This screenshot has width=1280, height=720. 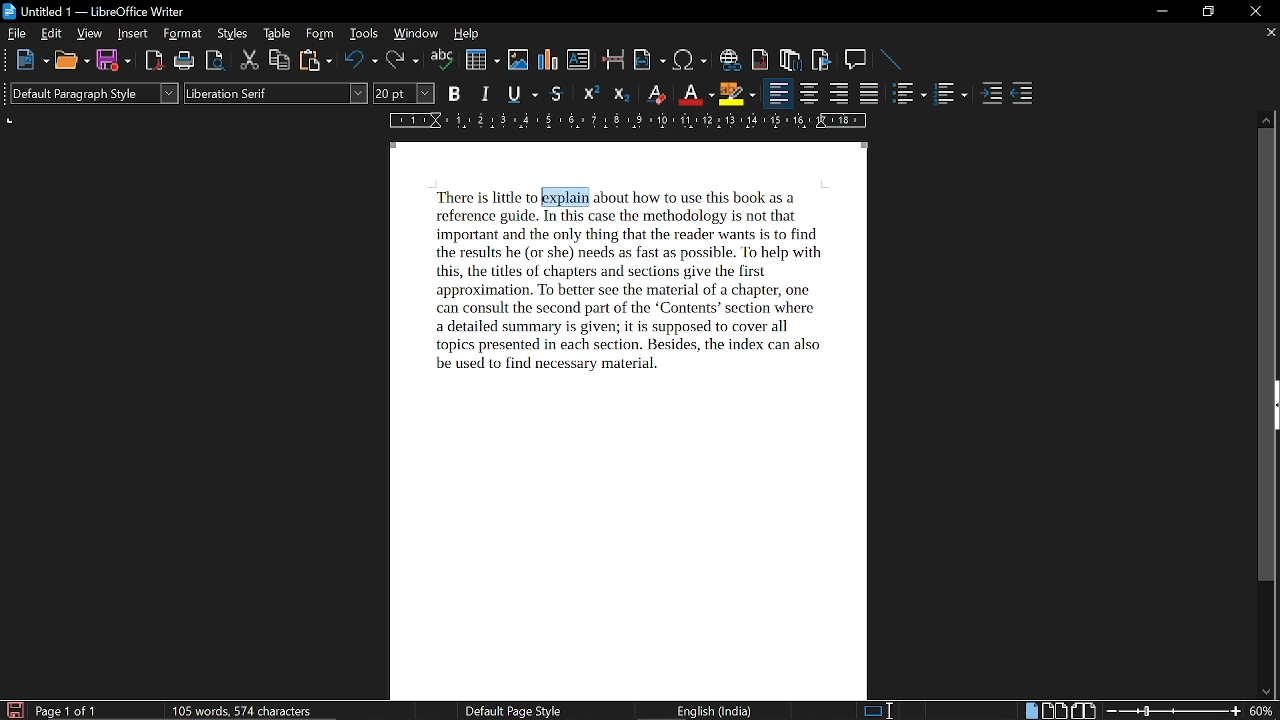 What do you see at coordinates (482, 60) in the screenshot?
I see `insert table` at bounding box center [482, 60].